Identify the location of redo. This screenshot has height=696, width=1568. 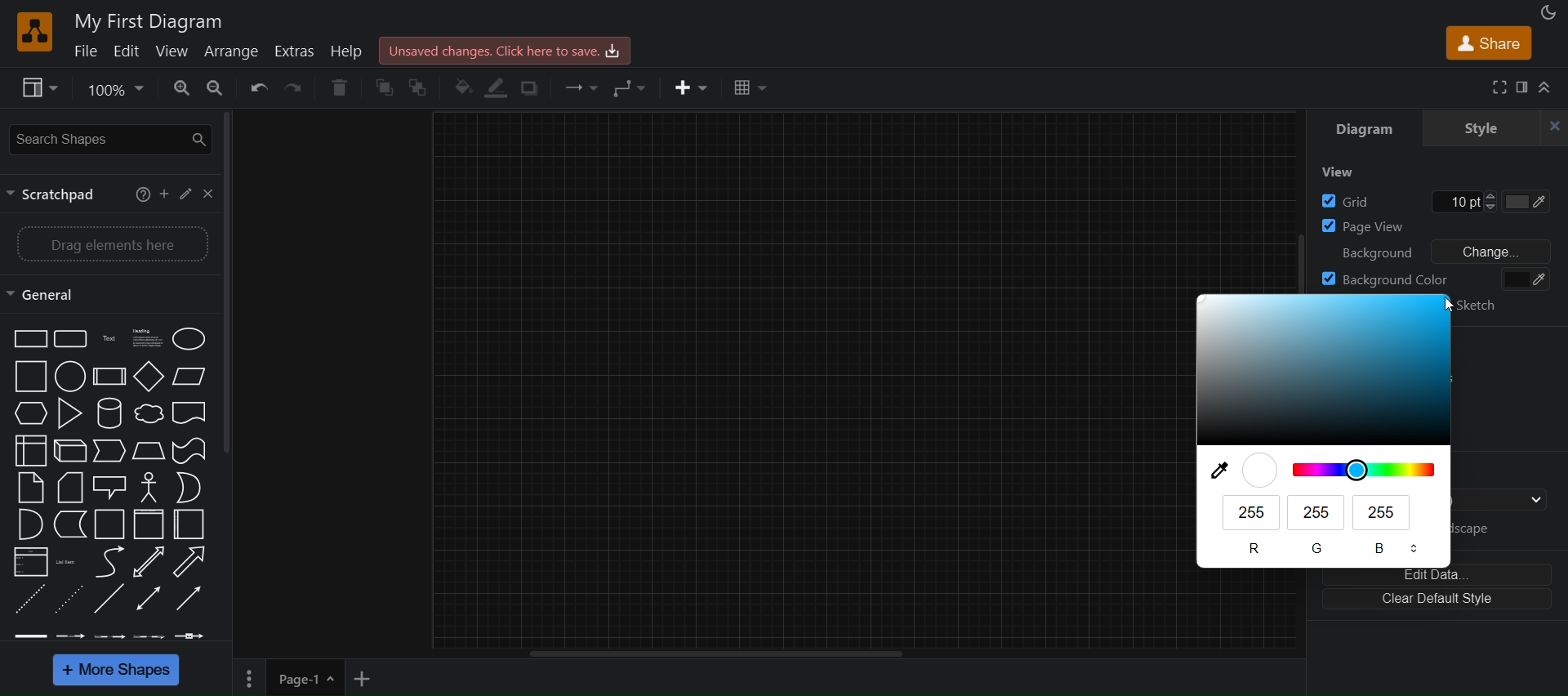
(296, 88).